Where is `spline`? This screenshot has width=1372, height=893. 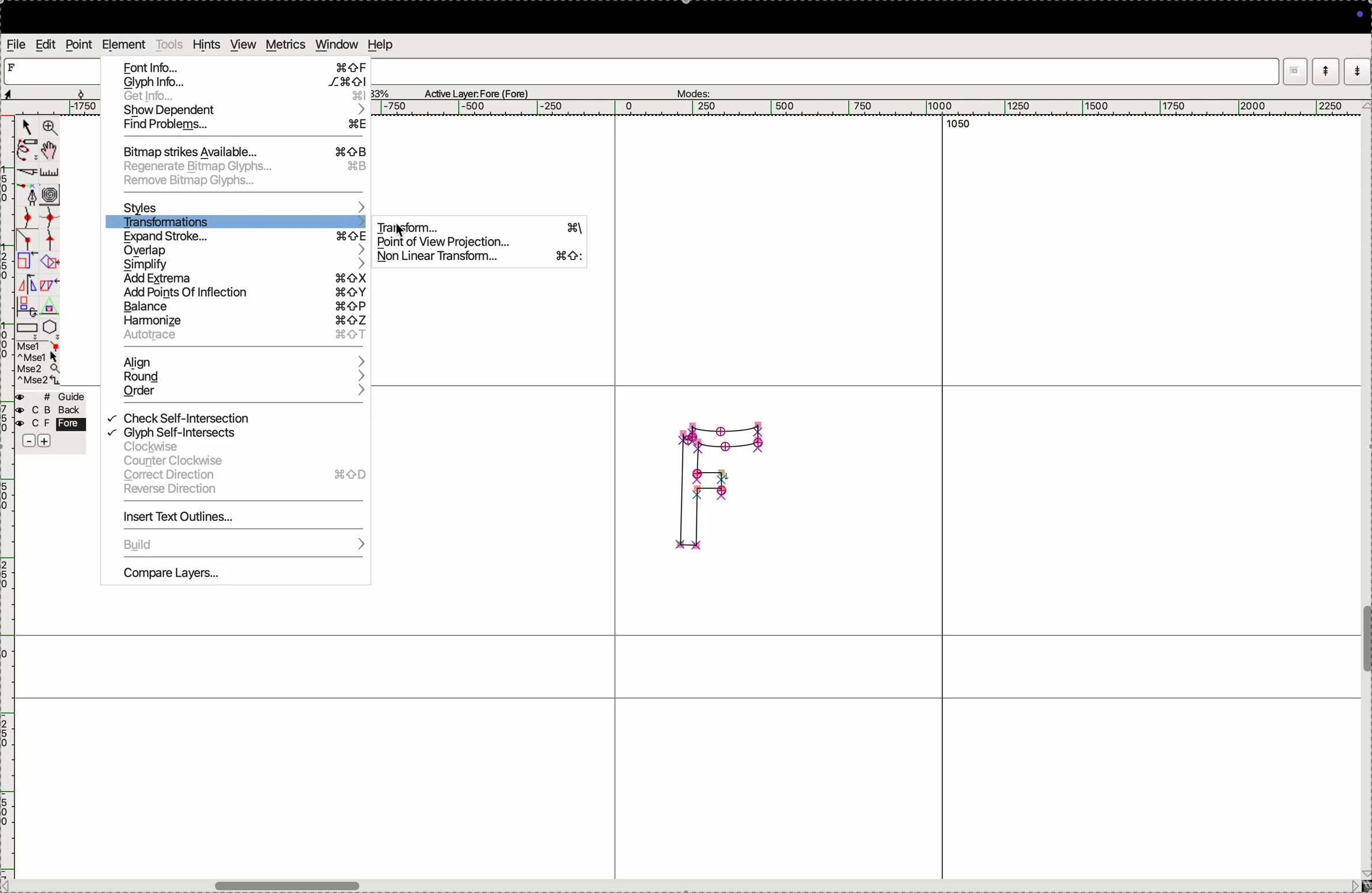
spline is located at coordinates (49, 230).